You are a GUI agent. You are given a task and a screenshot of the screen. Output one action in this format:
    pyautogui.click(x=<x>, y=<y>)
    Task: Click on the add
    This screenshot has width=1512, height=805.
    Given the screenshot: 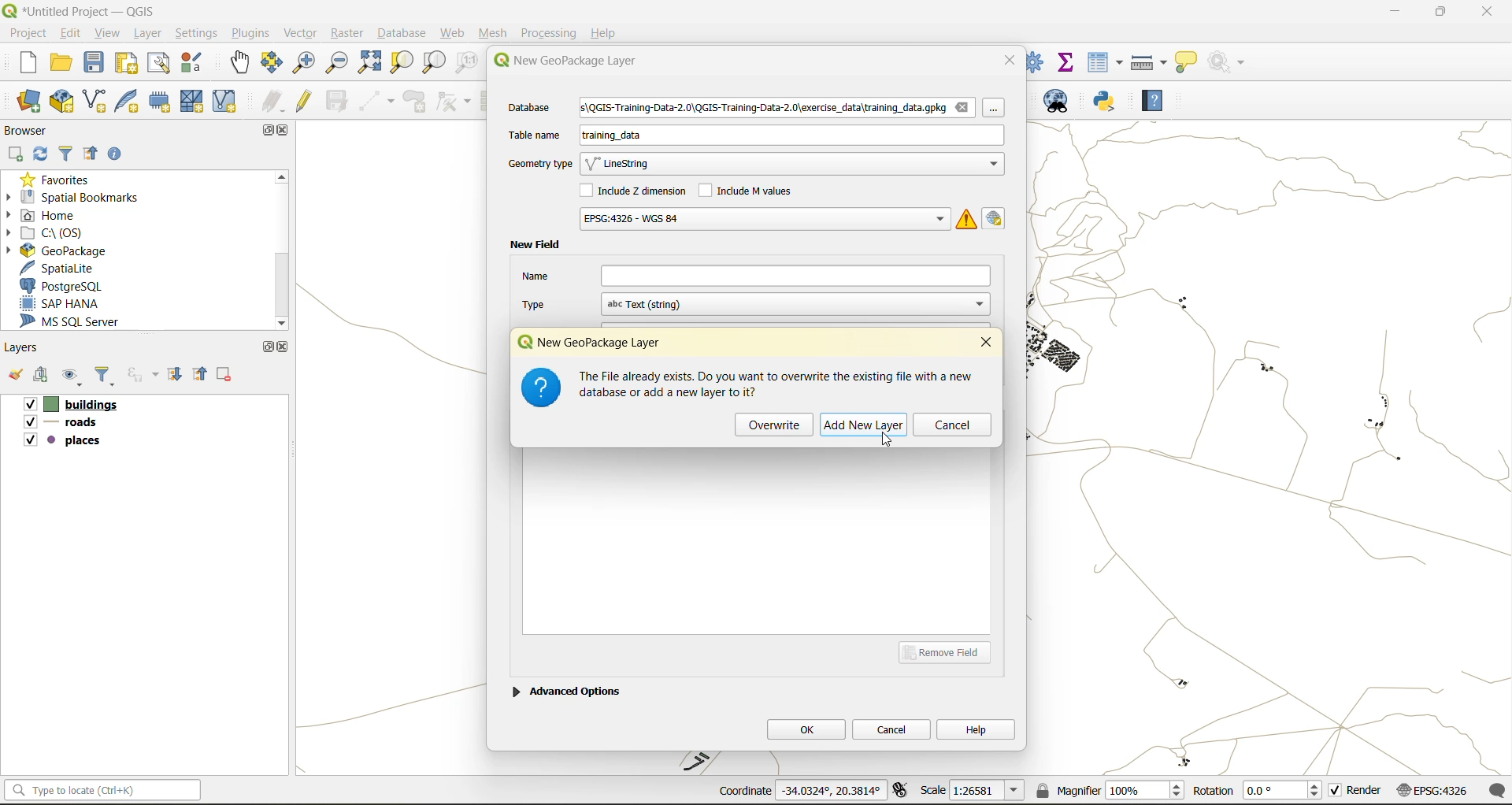 What is the action you would take?
    pyautogui.click(x=43, y=377)
    